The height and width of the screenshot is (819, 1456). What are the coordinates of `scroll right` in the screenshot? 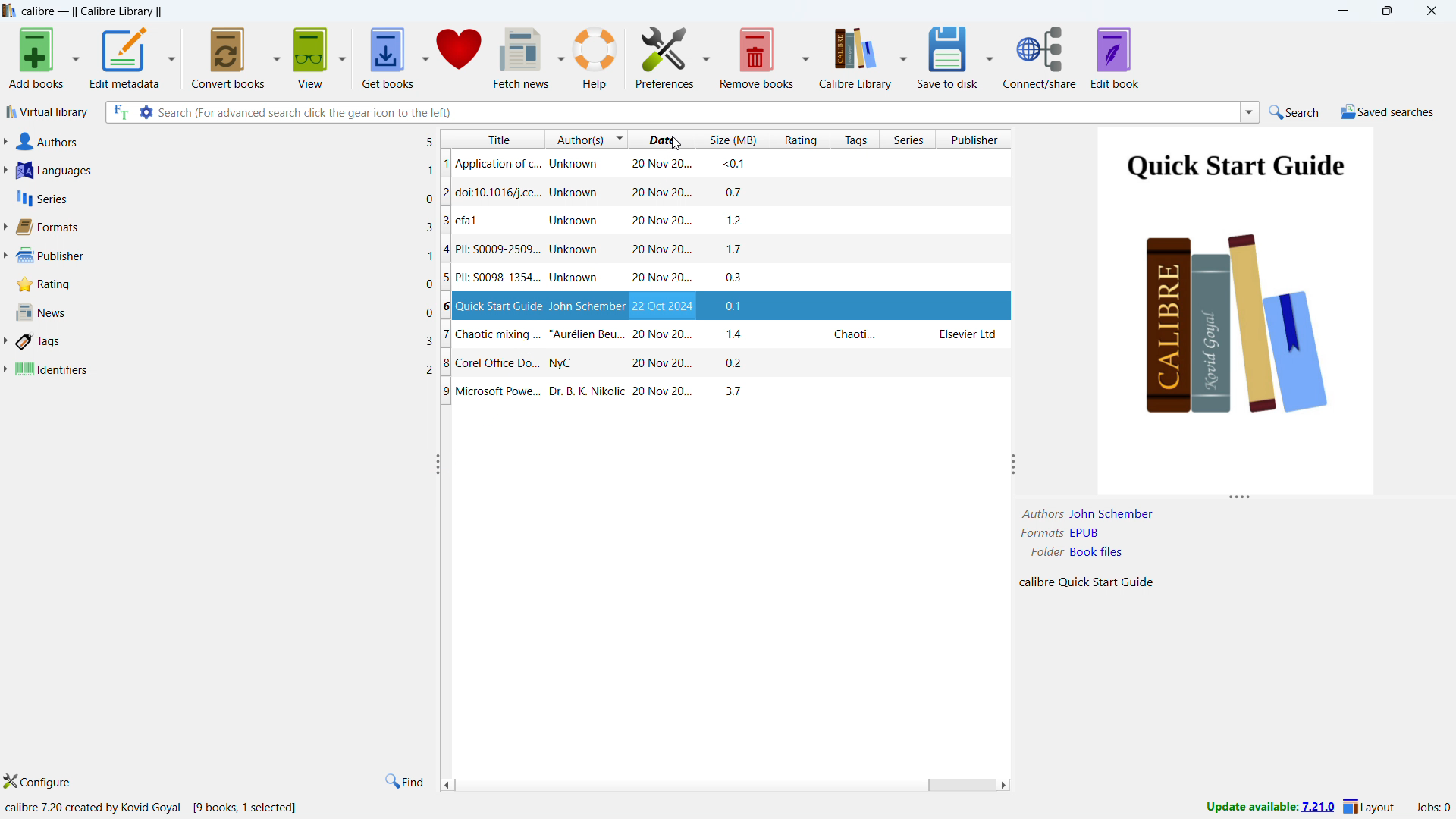 It's located at (1002, 786).